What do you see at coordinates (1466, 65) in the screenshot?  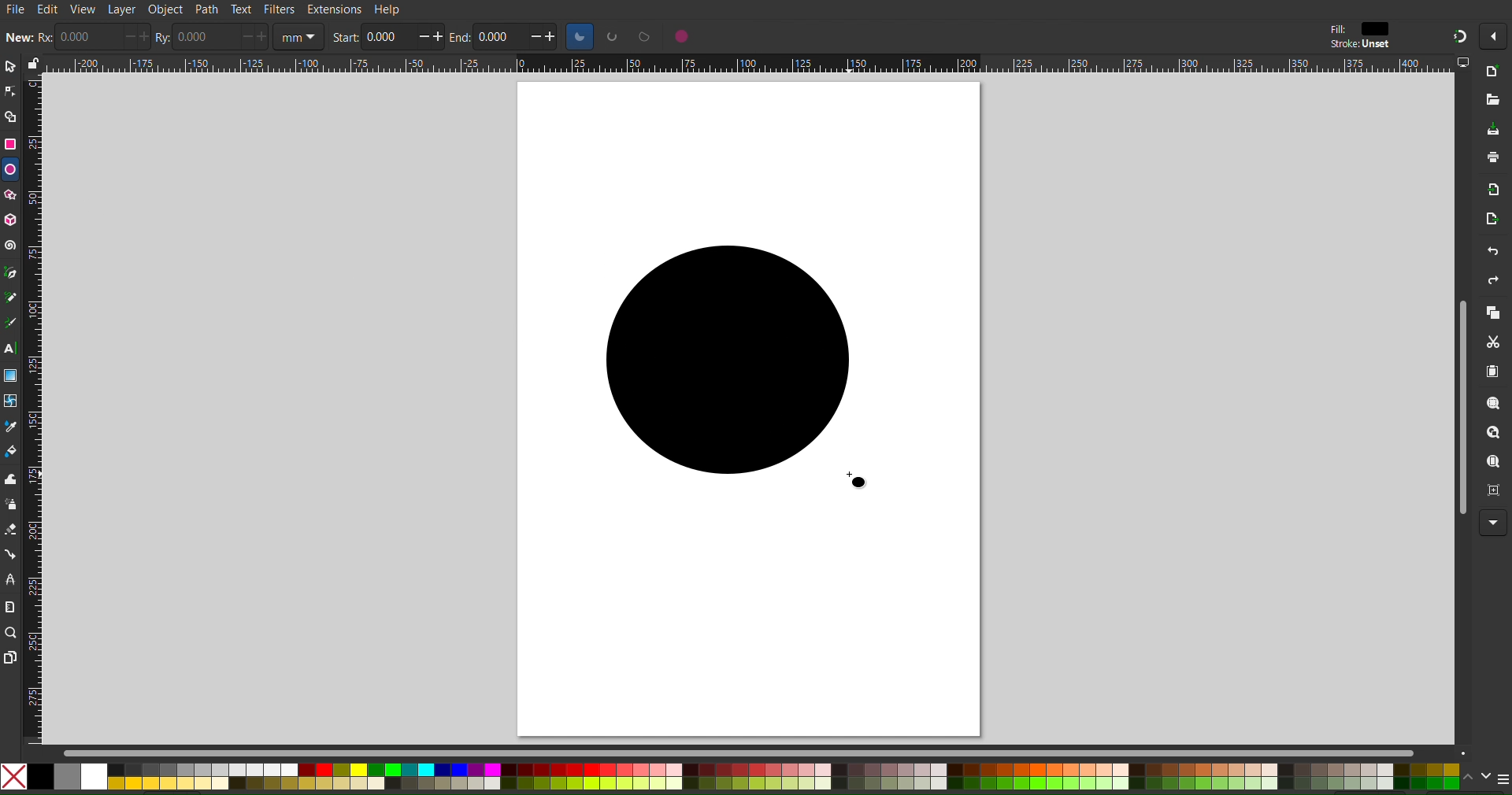 I see `computer icon` at bounding box center [1466, 65].